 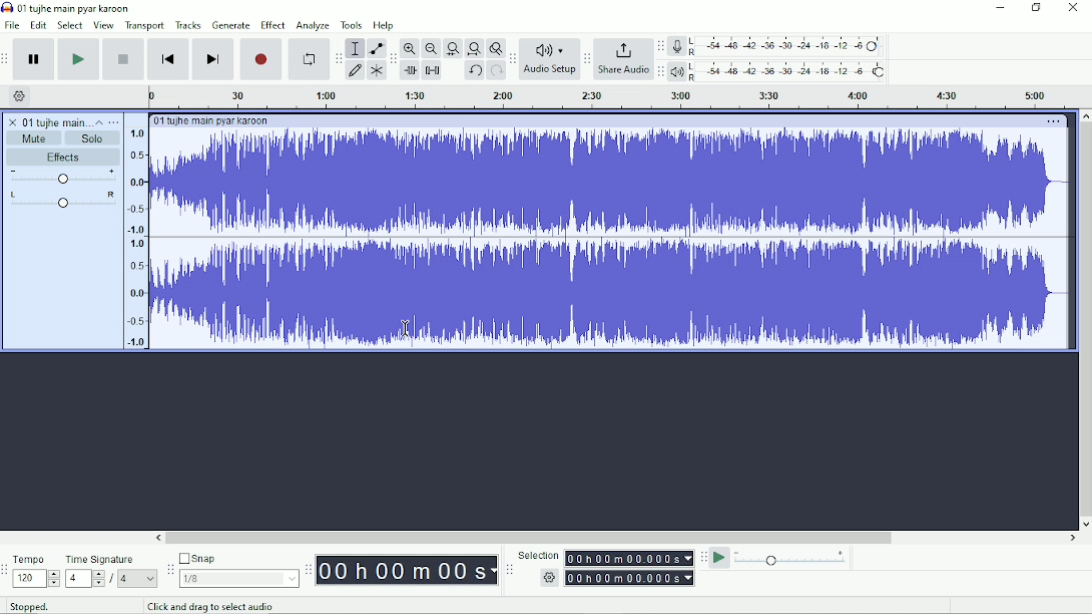 I want to click on Audacity playback meter toolbar, so click(x=662, y=71).